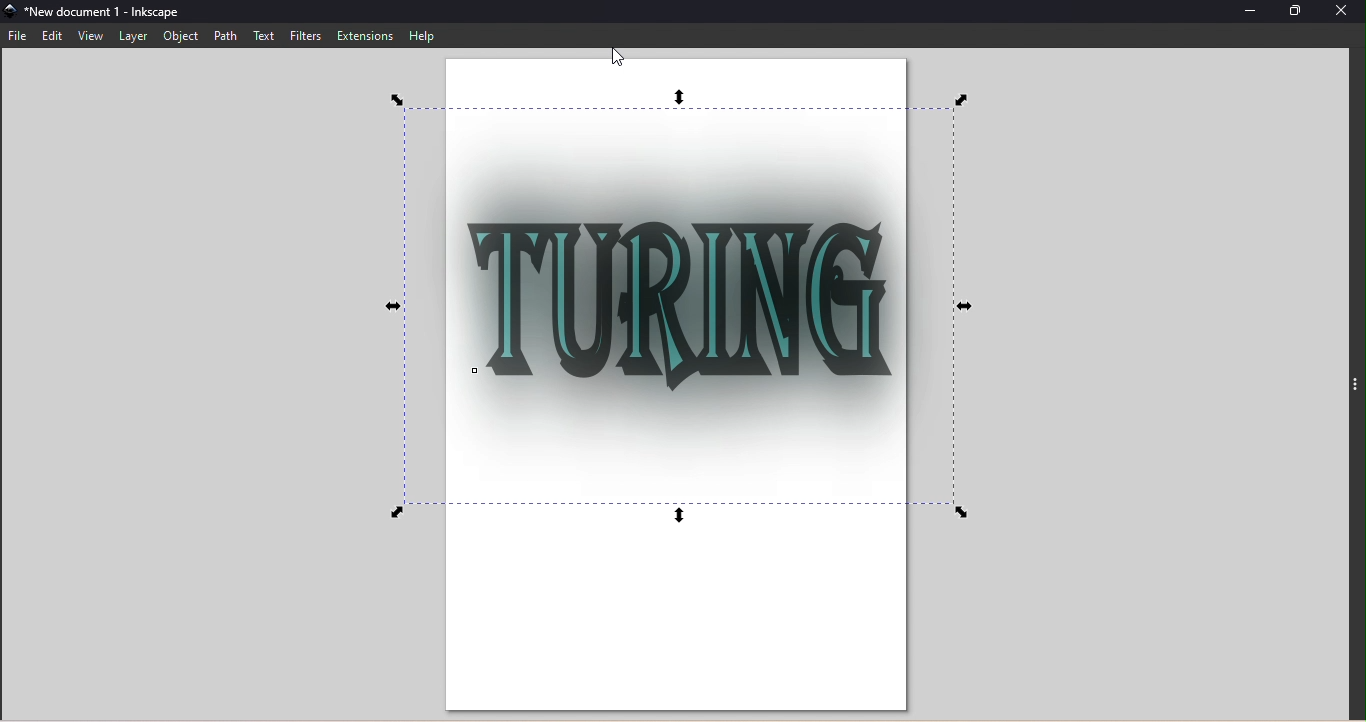 Image resolution: width=1366 pixels, height=722 pixels. I want to click on Canvas showing turing text with effect applied, so click(691, 388).